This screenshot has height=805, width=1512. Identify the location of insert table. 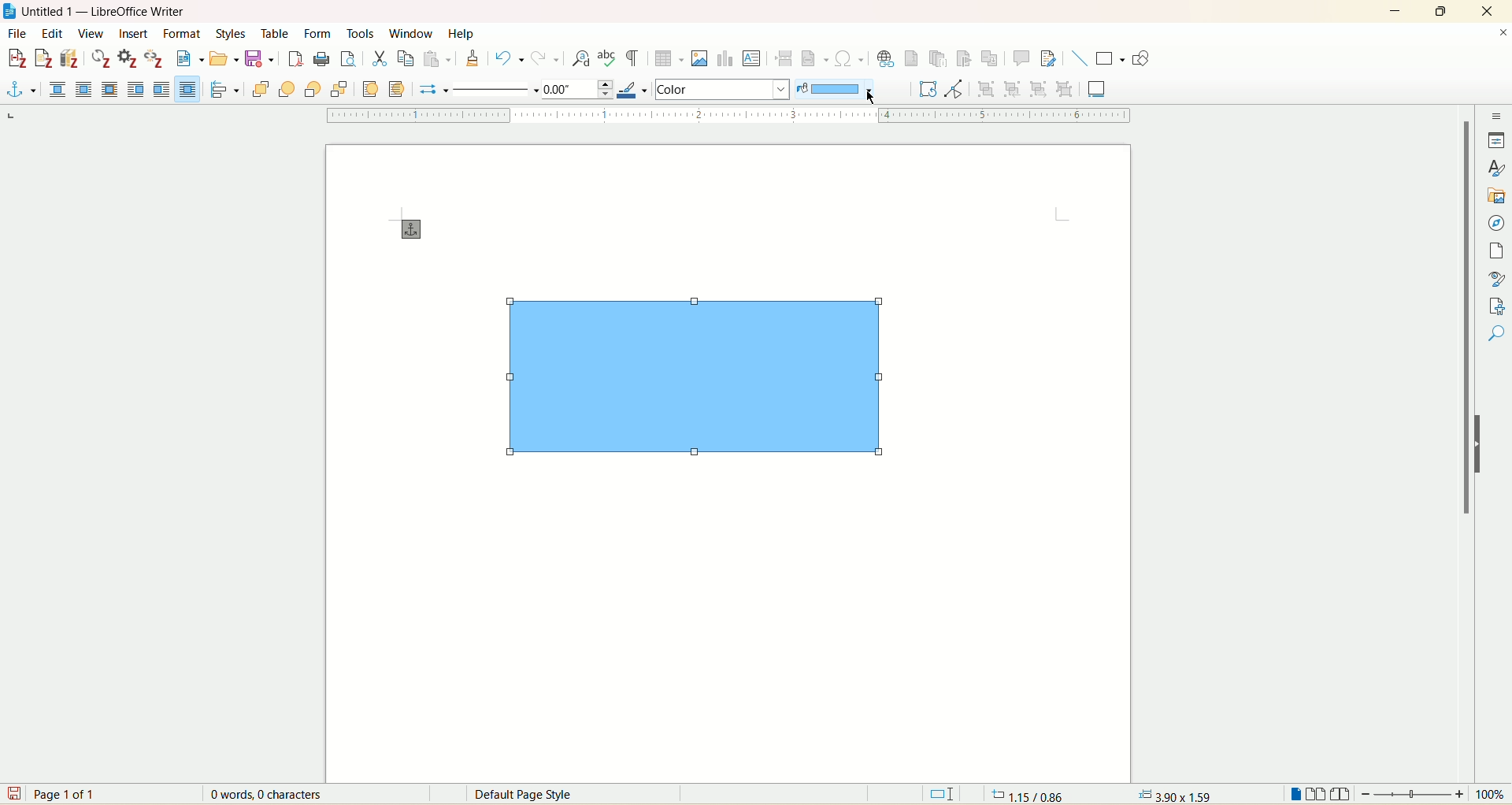
(670, 61).